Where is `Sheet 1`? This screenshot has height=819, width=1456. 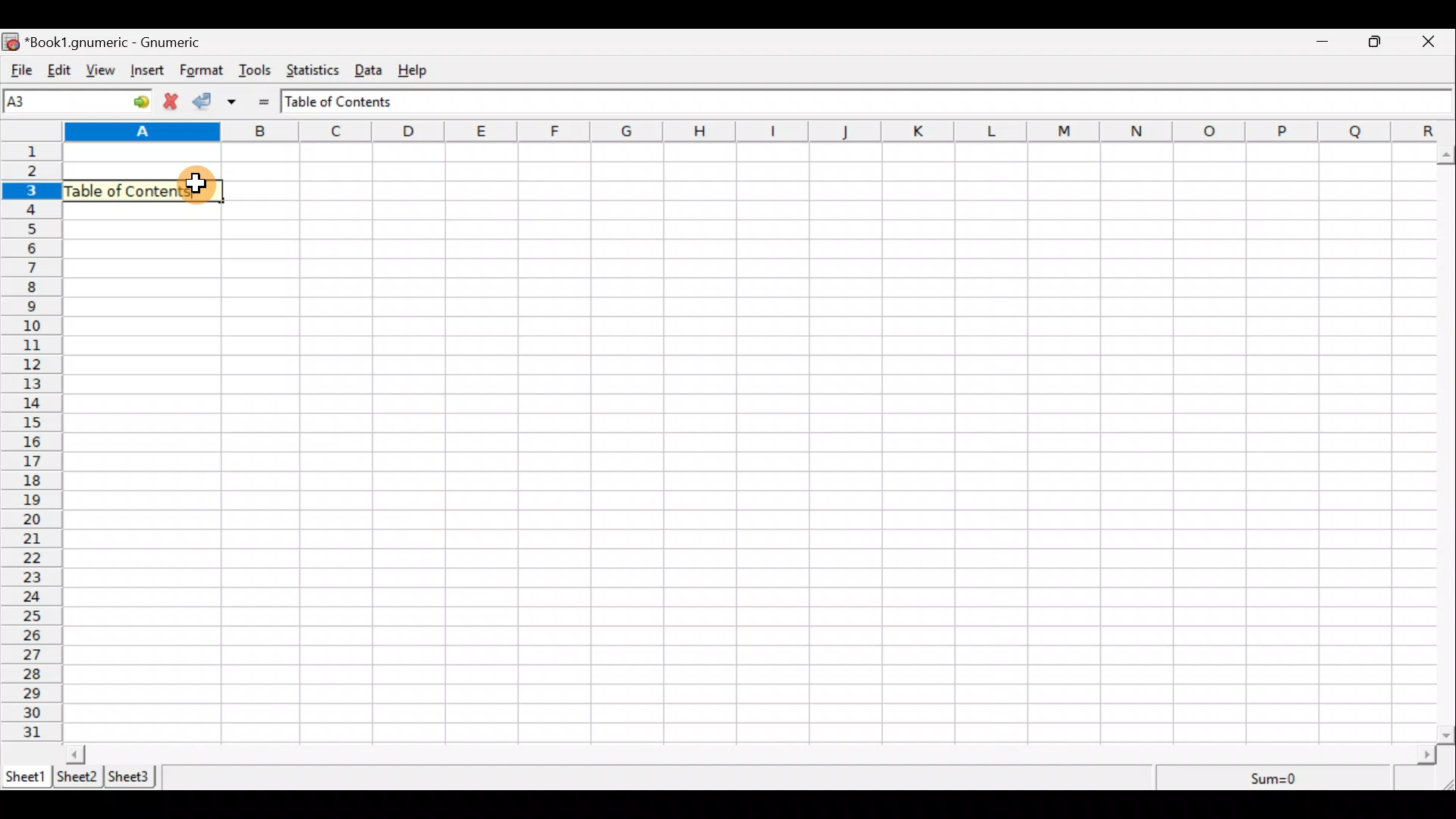 Sheet 1 is located at coordinates (26, 775).